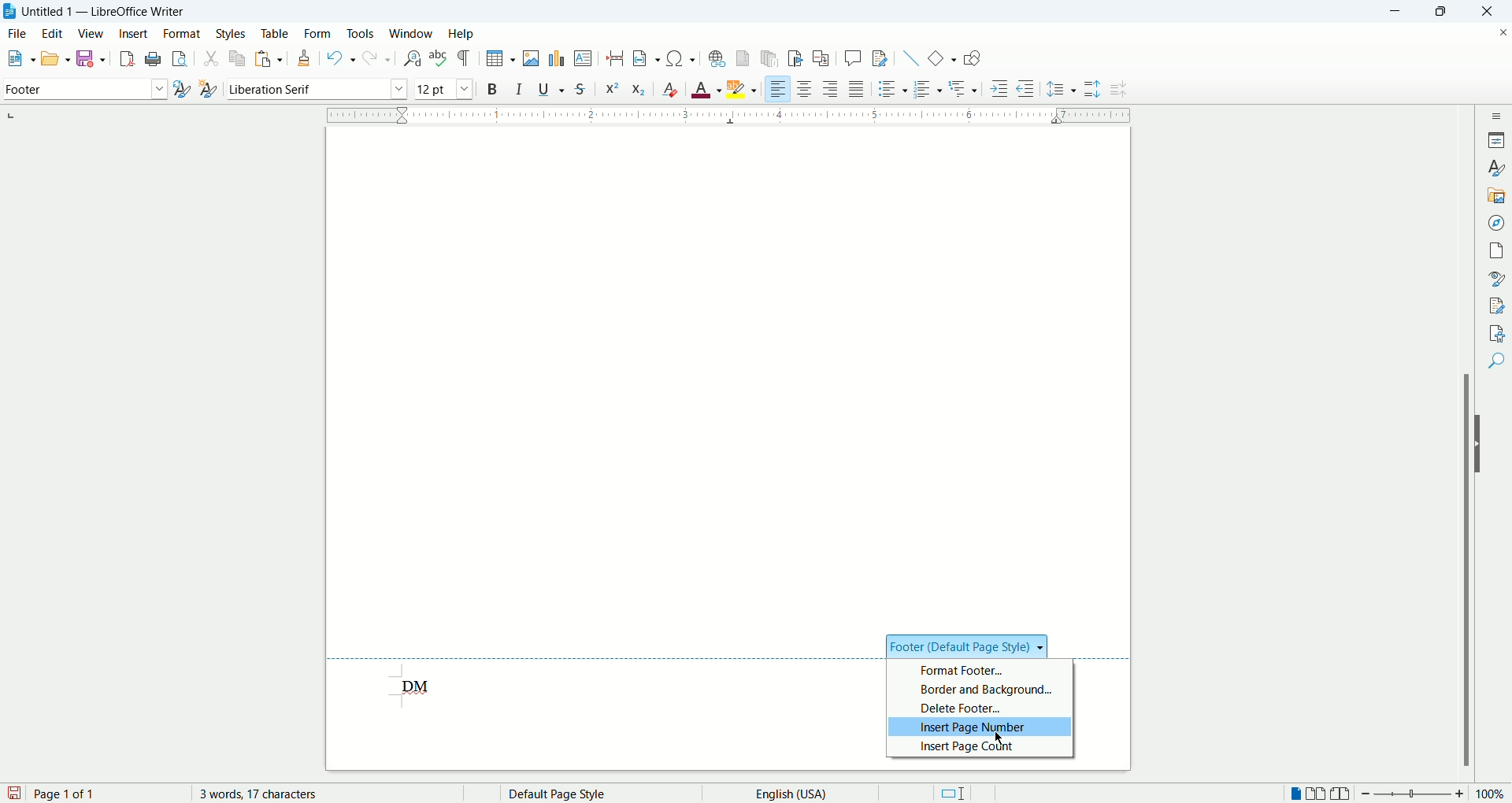 This screenshot has width=1512, height=803. Describe the element at coordinates (93, 57) in the screenshot. I see `save` at that location.